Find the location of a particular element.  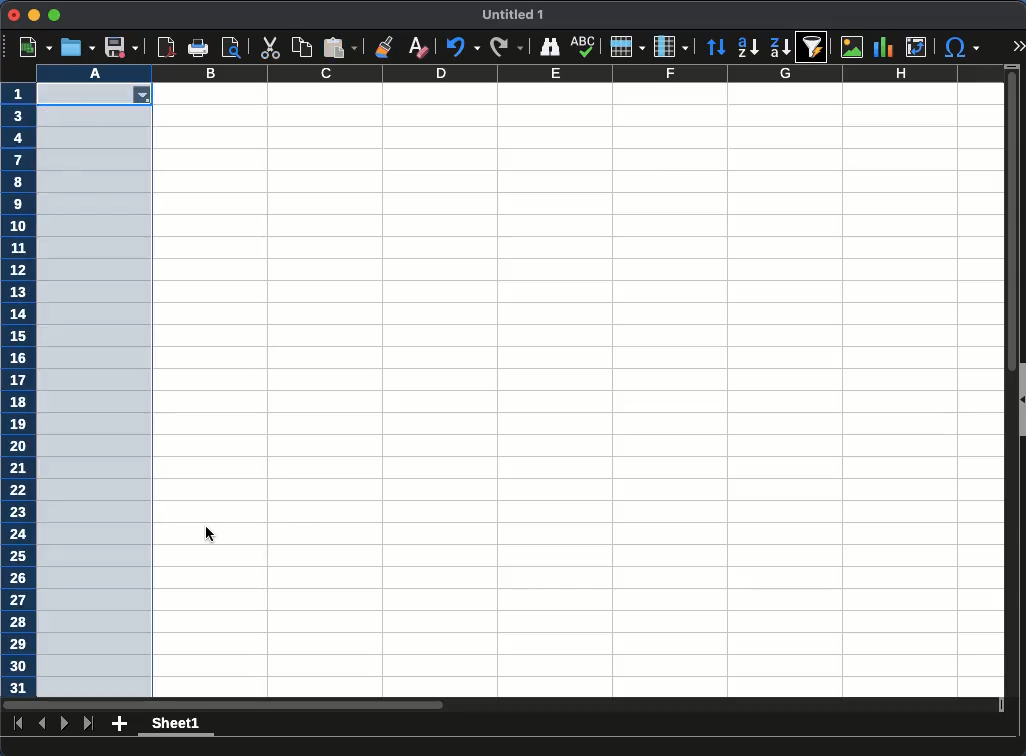

print is located at coordinates (198, 48).